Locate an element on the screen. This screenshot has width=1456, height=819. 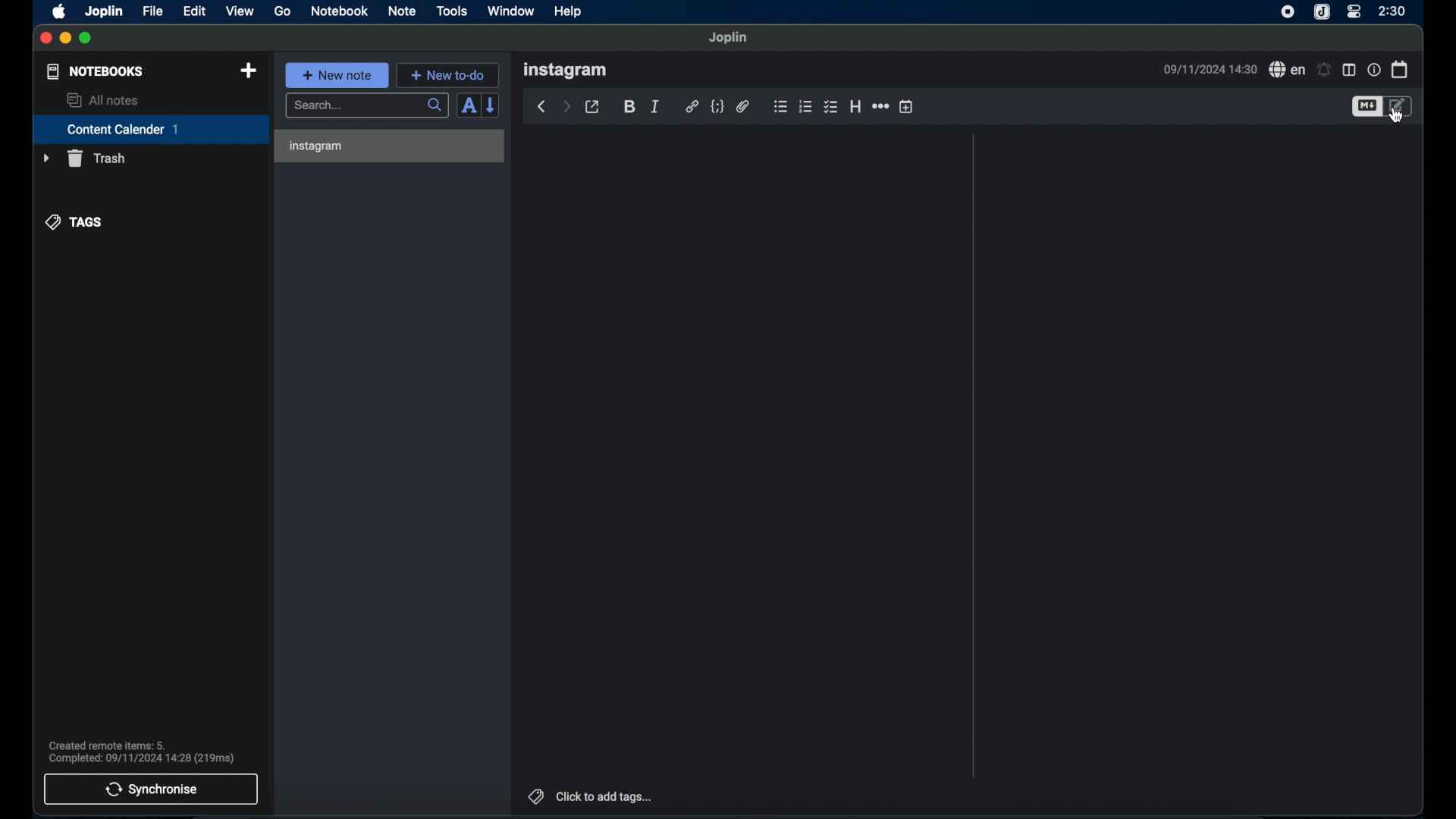
calendar icon is located at coordinates (1401, 70).